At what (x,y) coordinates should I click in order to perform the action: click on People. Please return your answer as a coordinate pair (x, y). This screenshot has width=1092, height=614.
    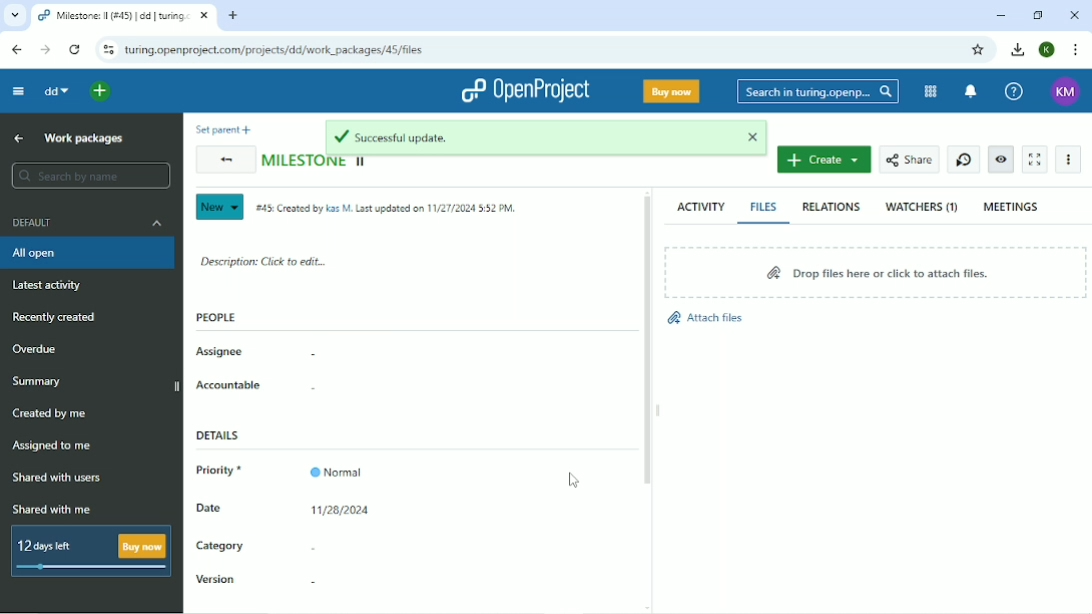
    Looking at the image, I should click on (217, 317).